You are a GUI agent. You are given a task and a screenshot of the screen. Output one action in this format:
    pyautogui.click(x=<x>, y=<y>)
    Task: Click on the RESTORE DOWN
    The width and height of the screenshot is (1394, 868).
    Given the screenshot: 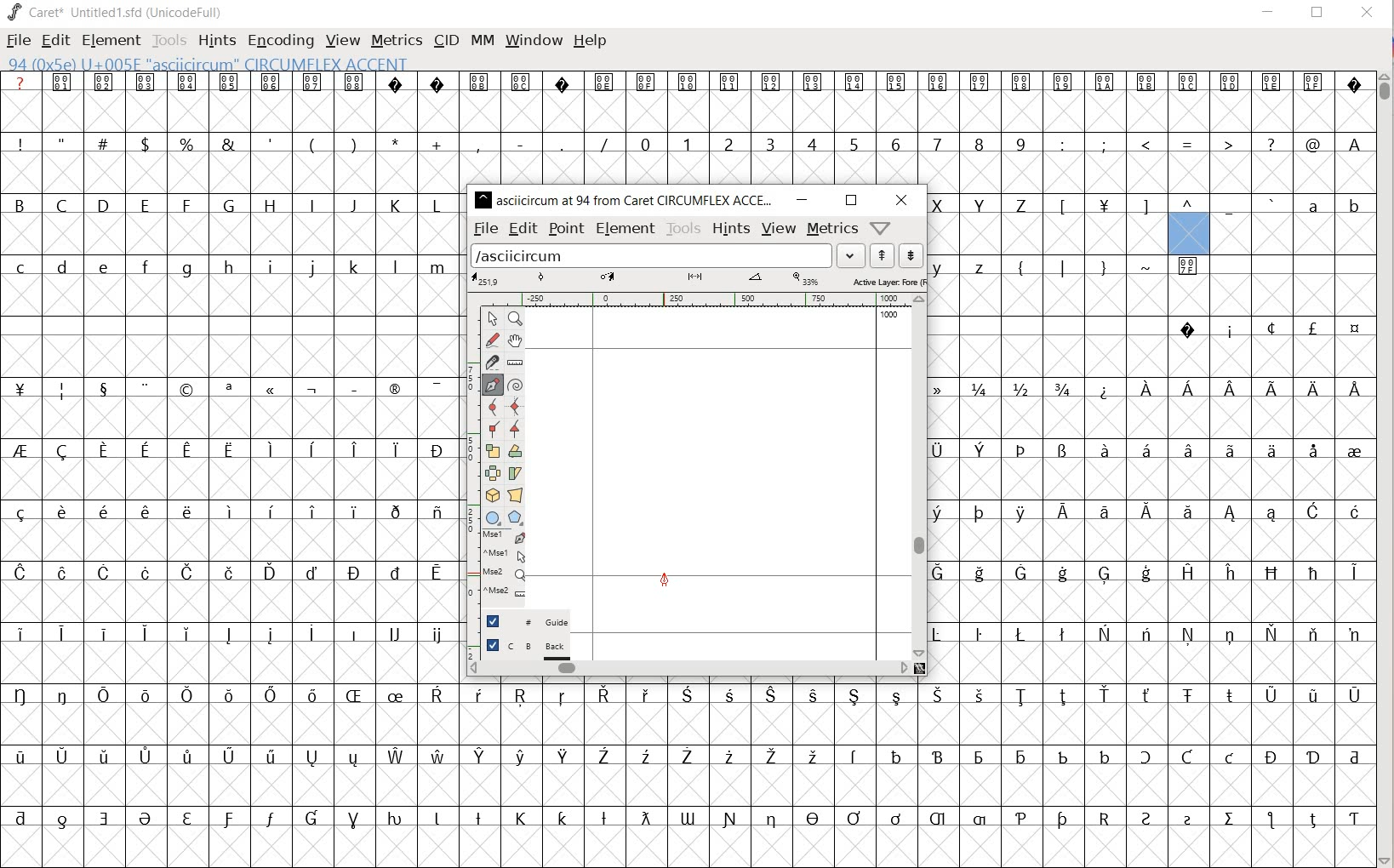 What is the action you would take?
    pyautogui.click(x=1317, y=16)
    